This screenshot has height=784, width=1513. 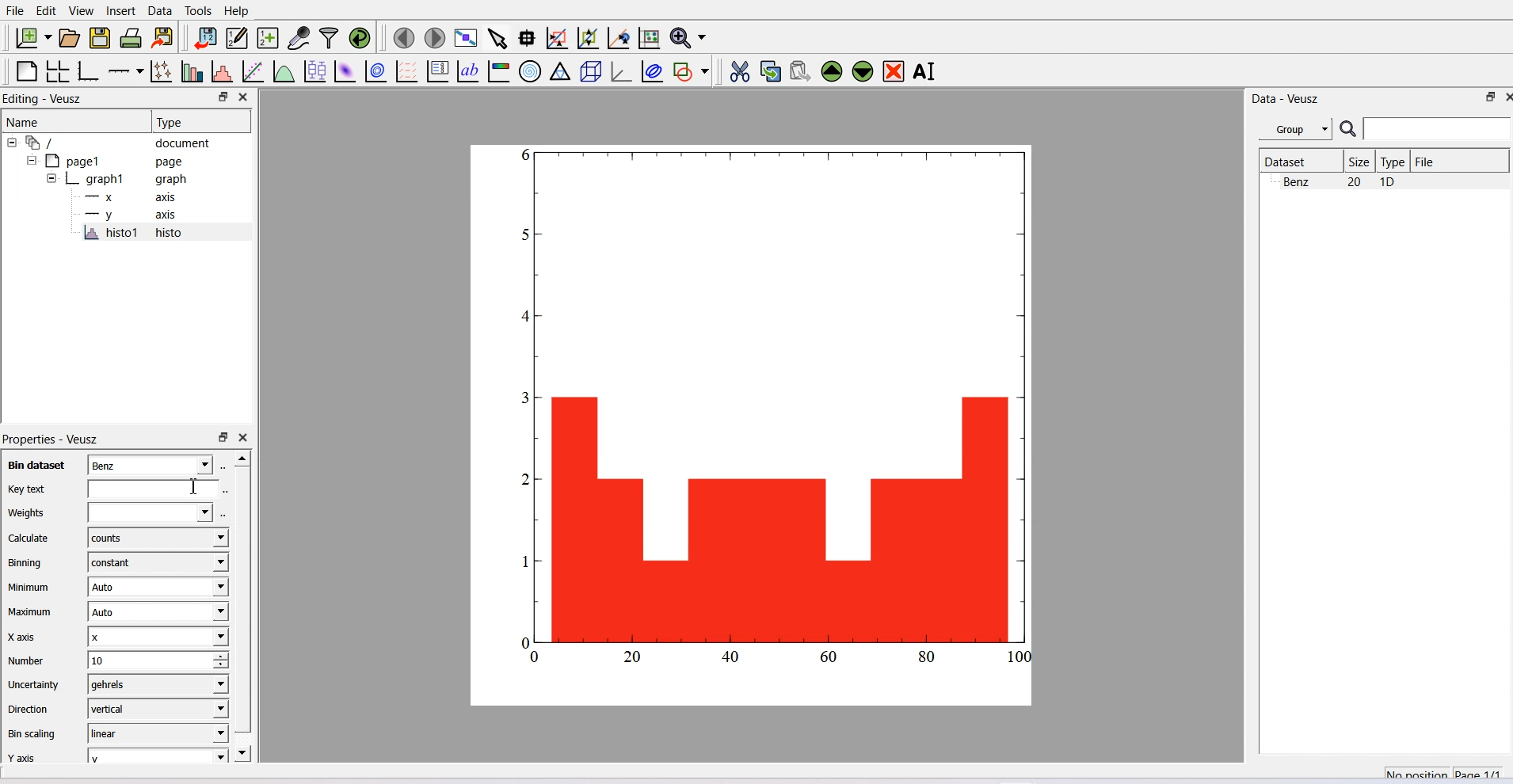 I want to click on Weights, so click(x=109, y=512).